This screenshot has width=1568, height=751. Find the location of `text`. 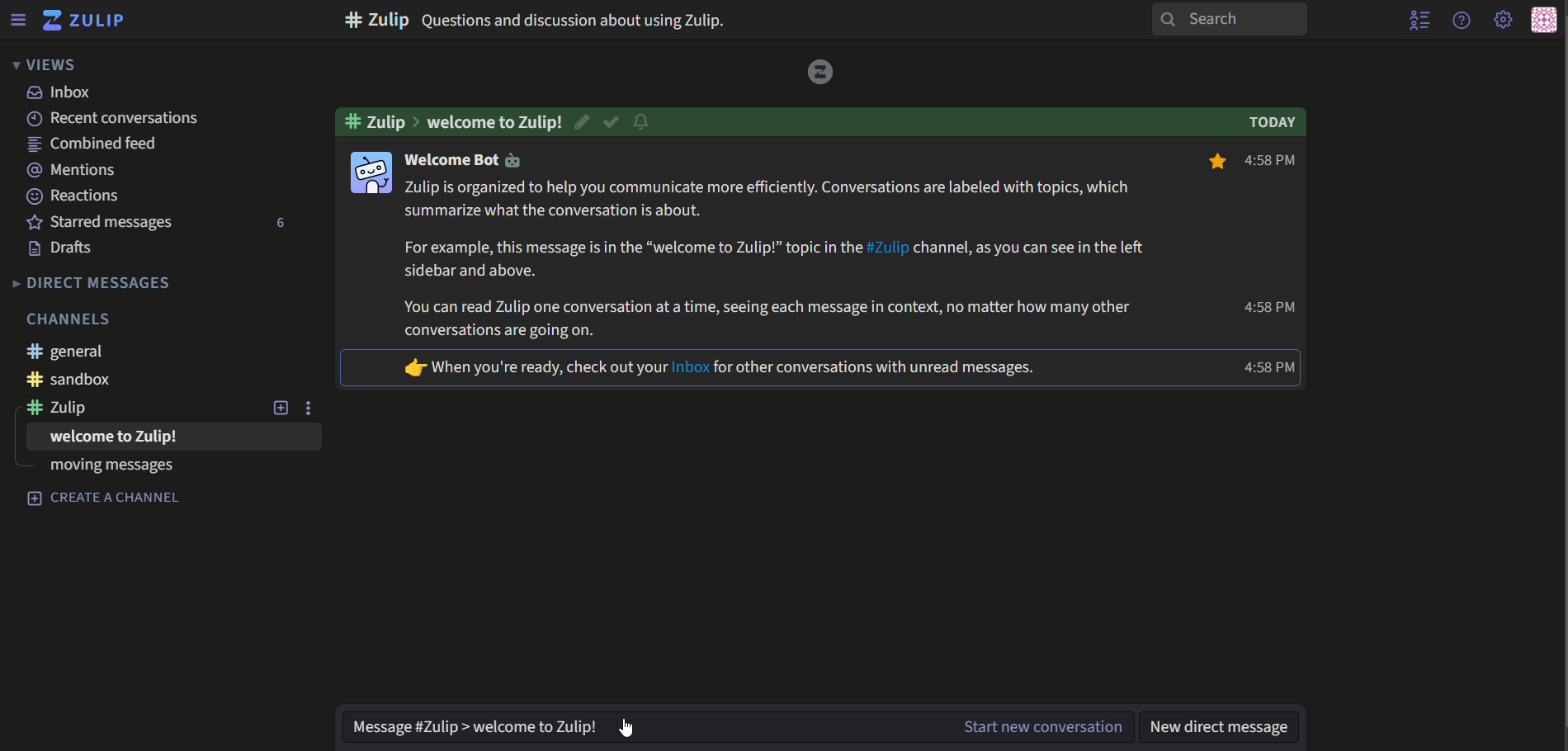

text is located at coordinates (67, 352).